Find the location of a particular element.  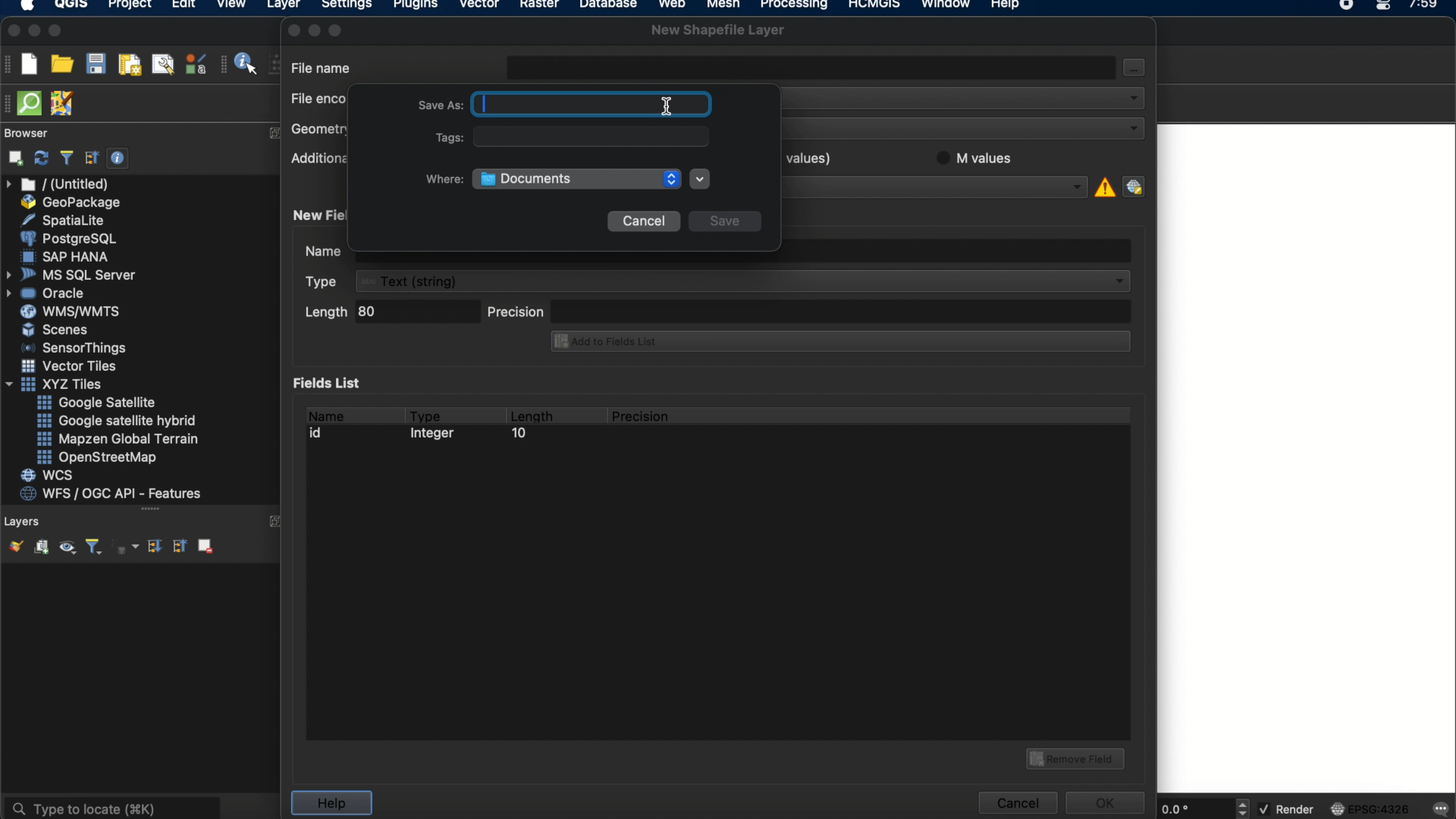

show layout is located at coordinates (163, 64).